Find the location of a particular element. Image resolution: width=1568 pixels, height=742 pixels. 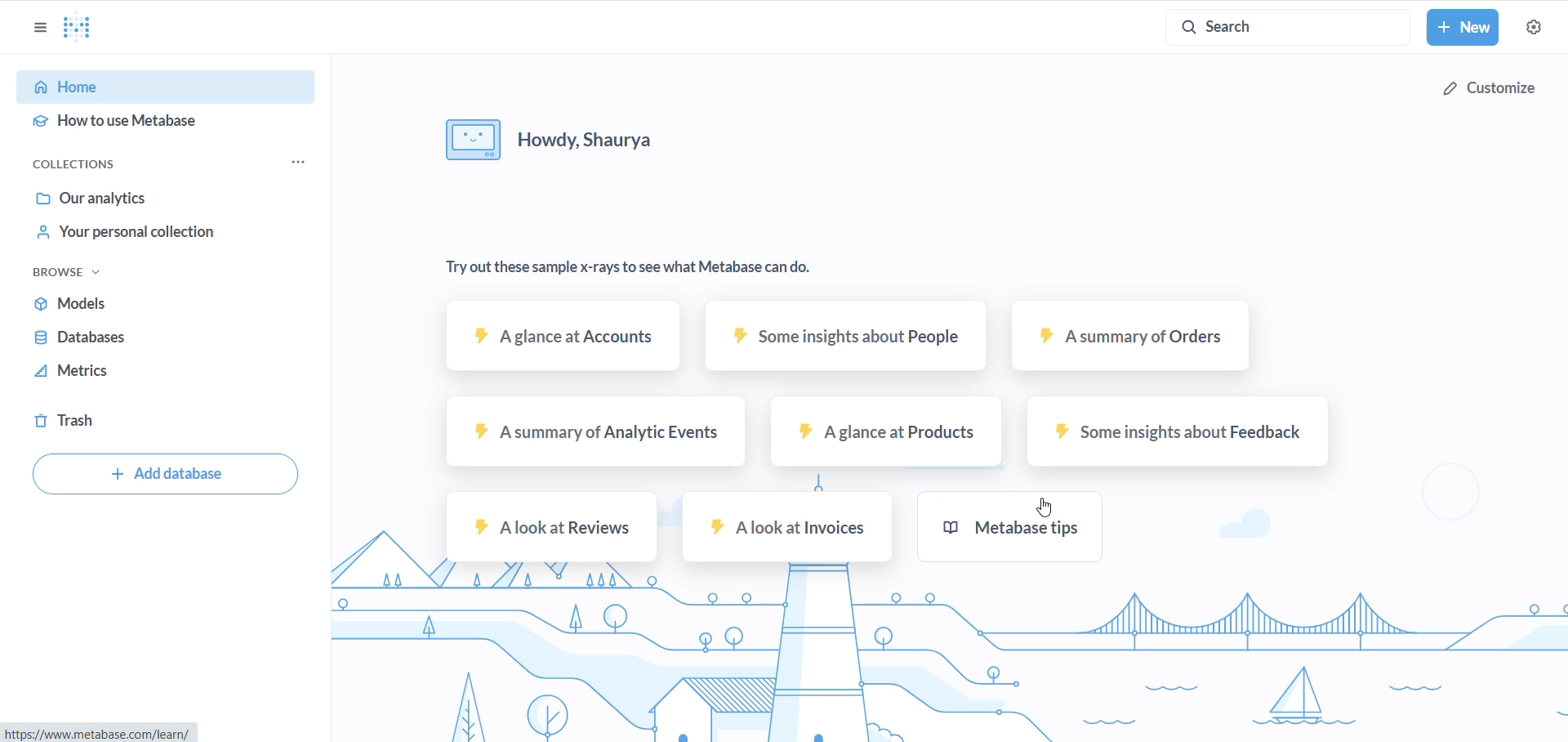

some insights about people sample is located at coordinates (846, 339).